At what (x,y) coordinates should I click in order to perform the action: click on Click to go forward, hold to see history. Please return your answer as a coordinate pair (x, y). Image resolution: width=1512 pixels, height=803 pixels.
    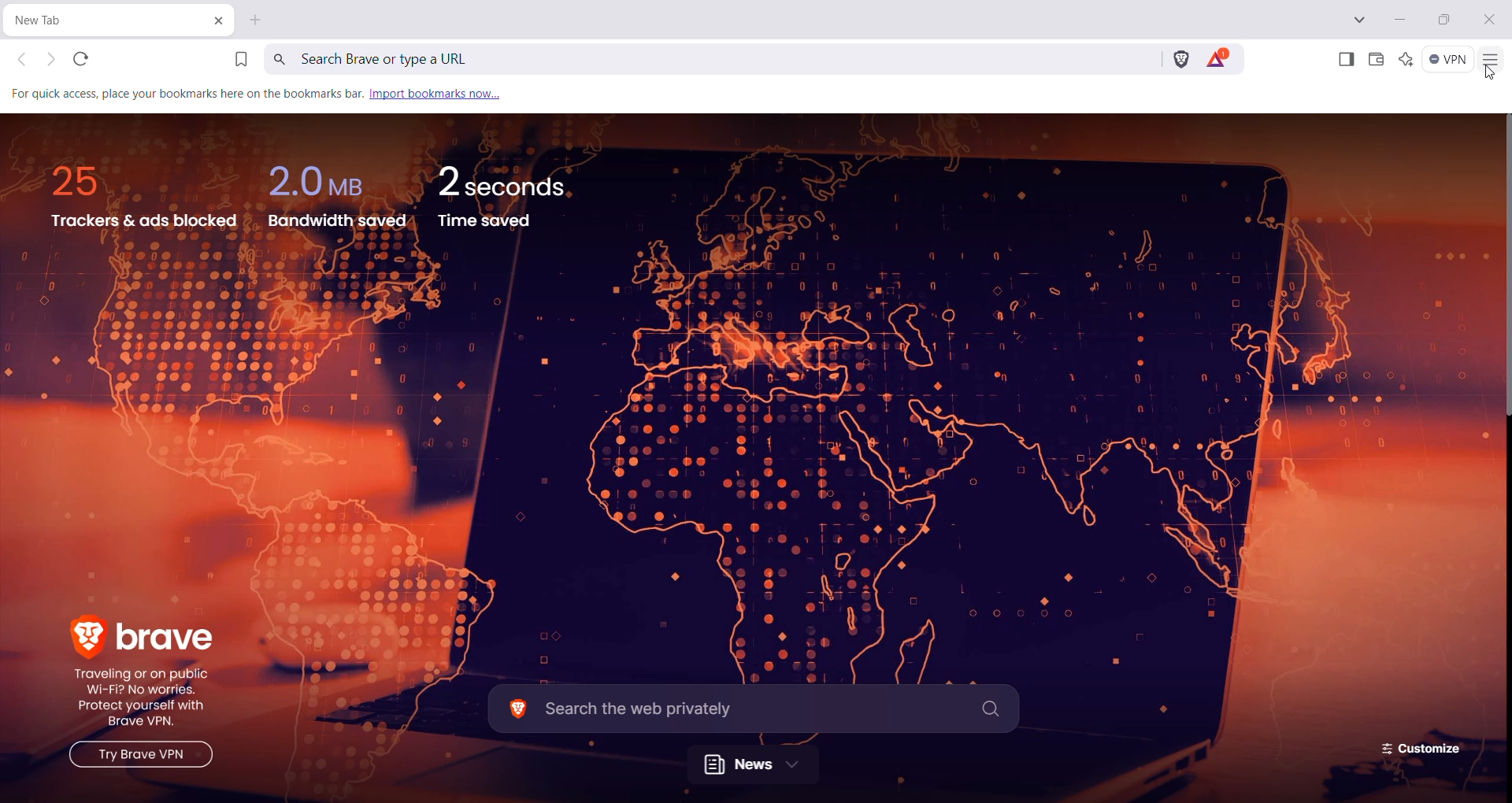
    Looking at the image, I should click on (50, 60).